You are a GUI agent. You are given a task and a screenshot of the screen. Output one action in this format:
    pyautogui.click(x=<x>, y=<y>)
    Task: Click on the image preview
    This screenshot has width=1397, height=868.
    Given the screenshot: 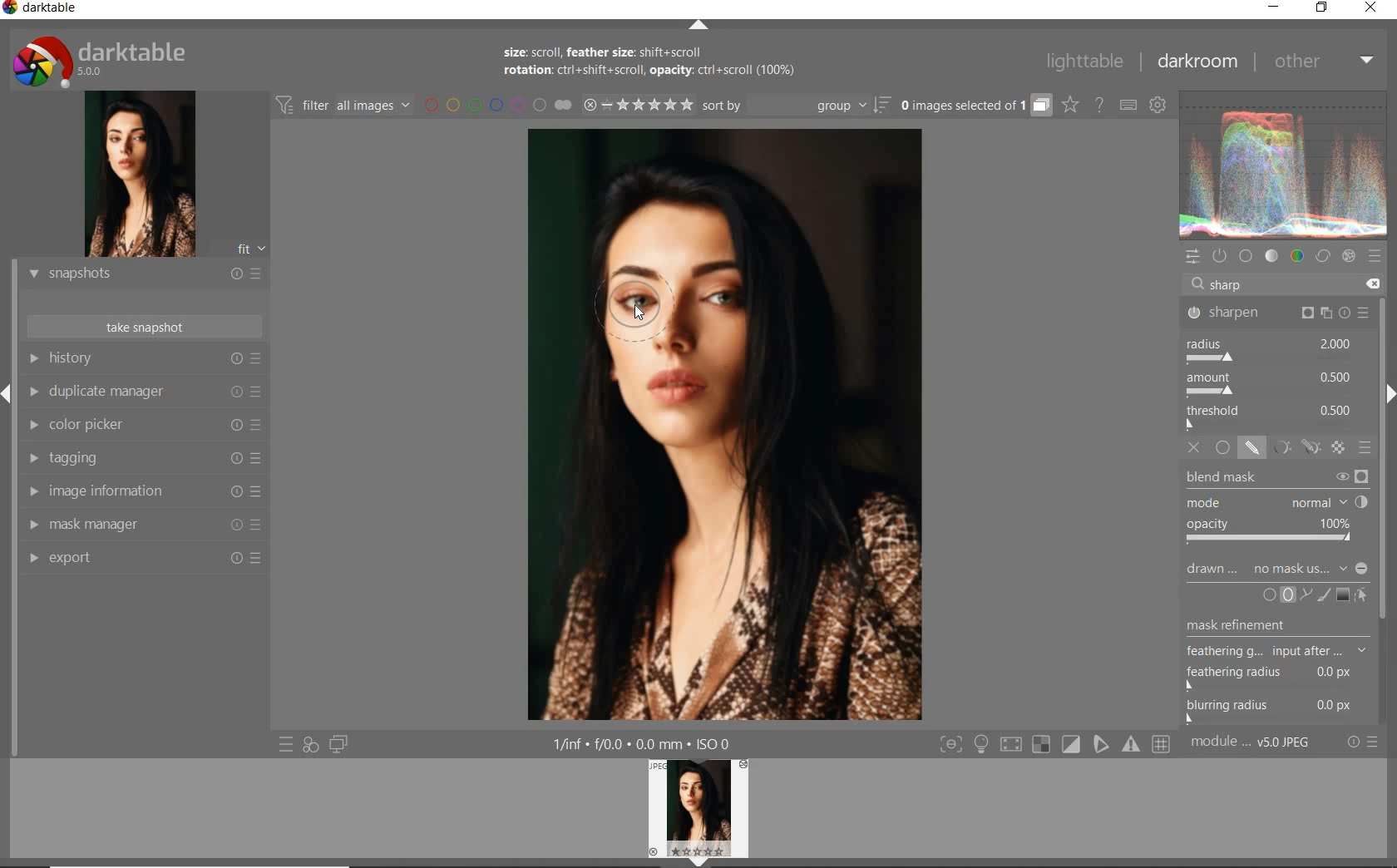 What is the action you would take?
    pyautogui.click(x=141, y=174)
    